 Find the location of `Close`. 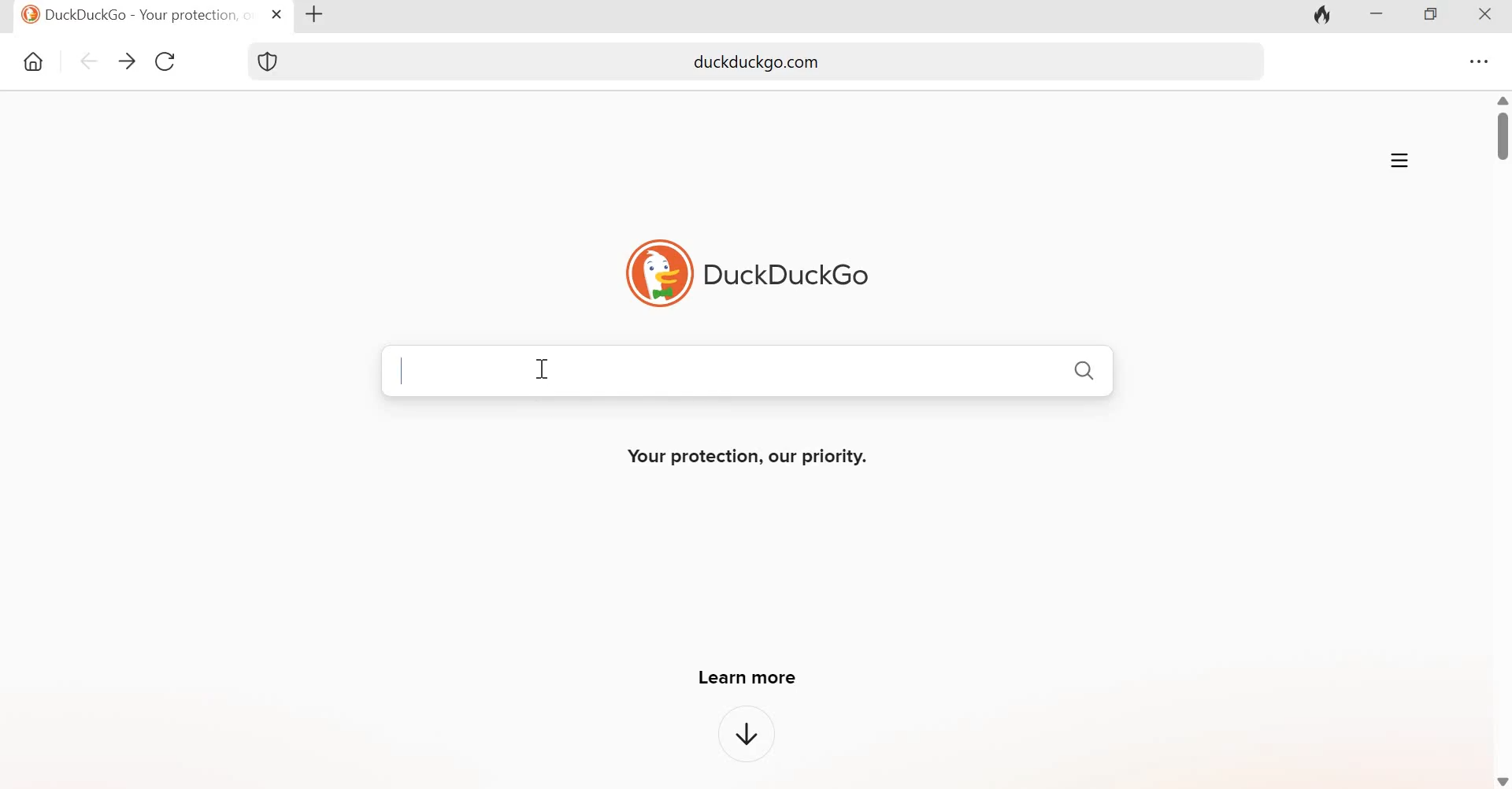

Close is located at coordinates (1487, 14).